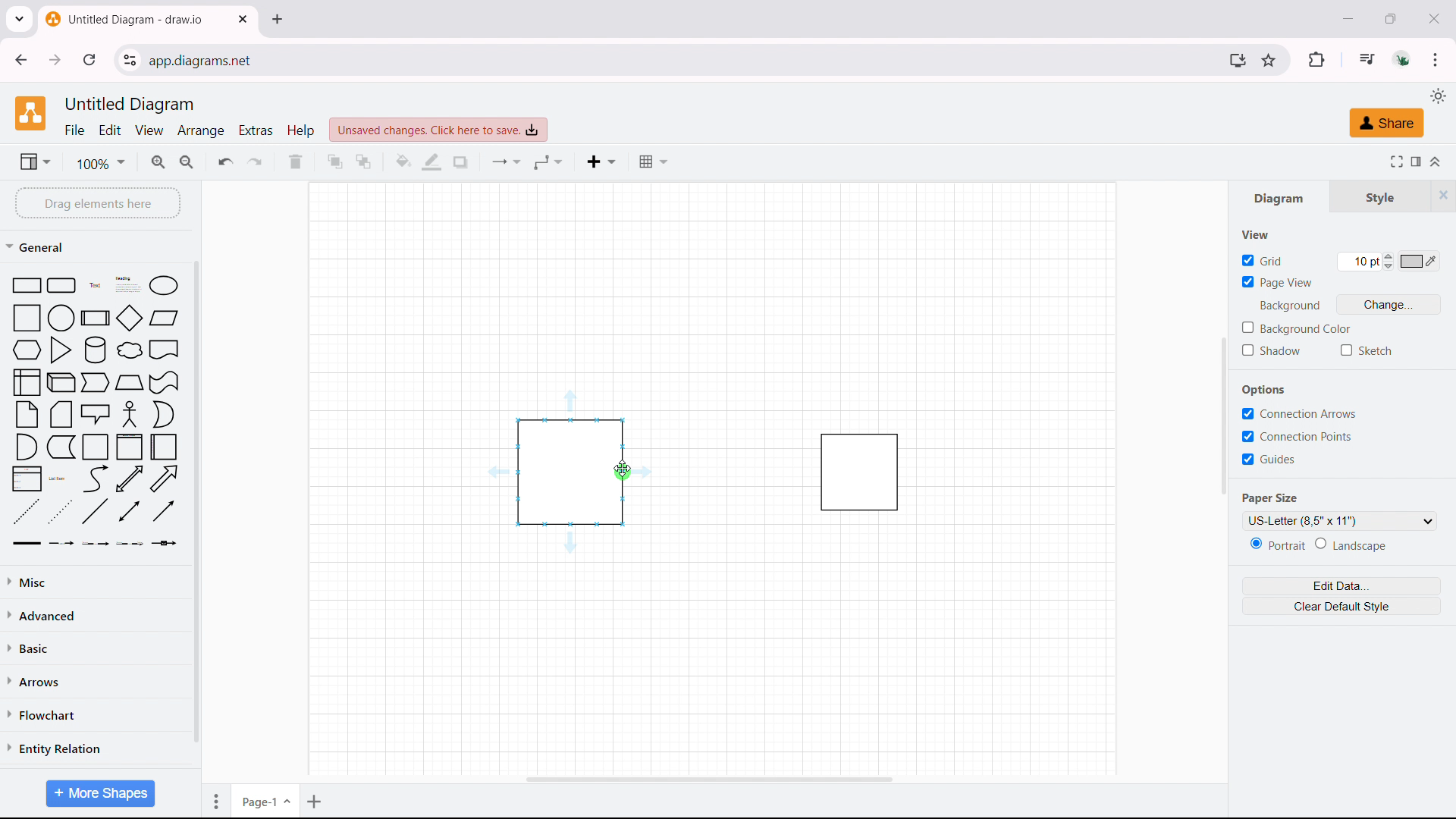 This screenshot has height=819, width=1456. Describe the element at coordinates (1365, 262) in the screenshot. I see `grid size` at that location.